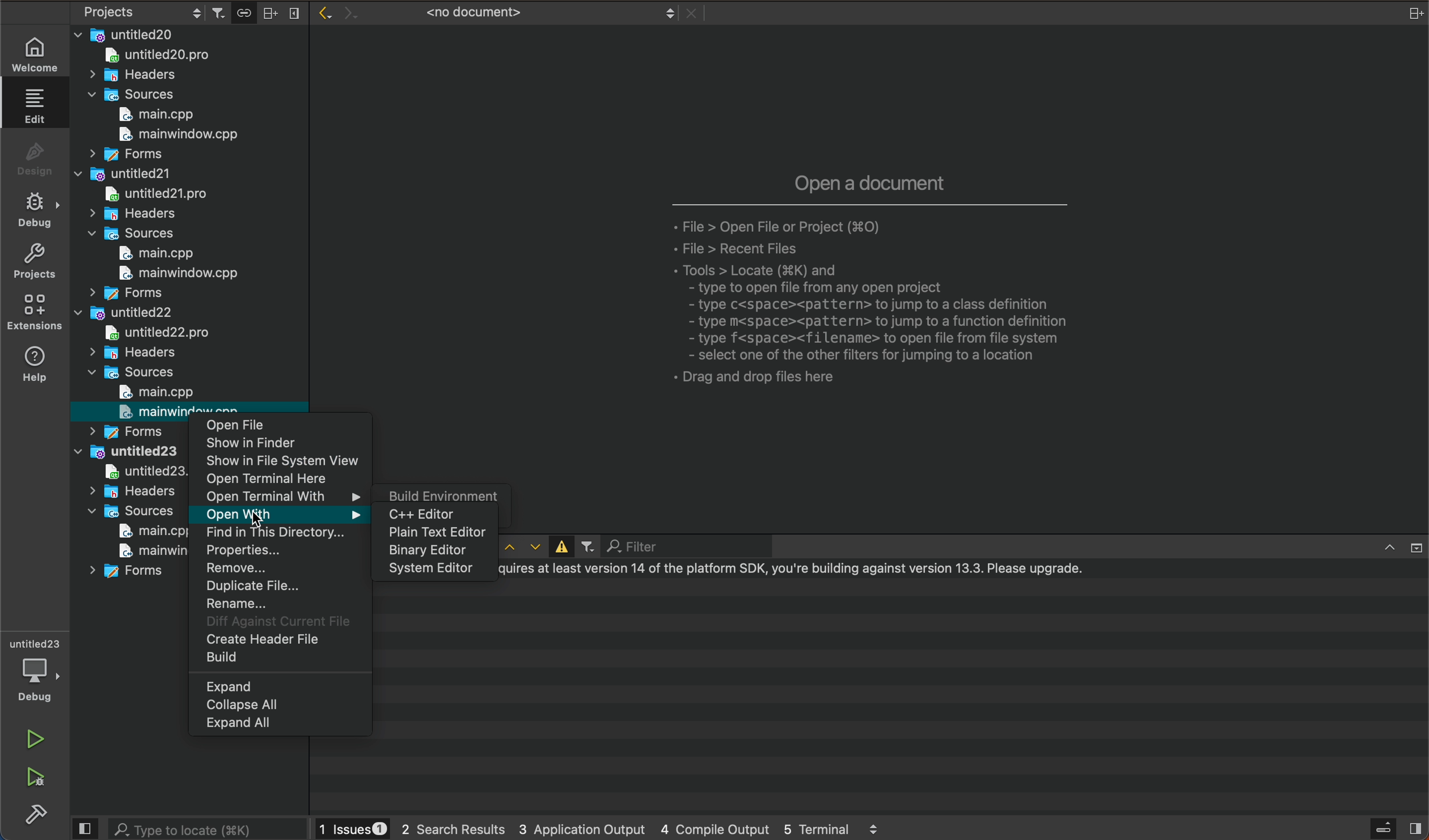 Image resolution: width=1429 pixels, height=840 pixels. What do you see at coordinates (35, 213) in the screenshot?
I see `debug` at bounding box center [35, 213].